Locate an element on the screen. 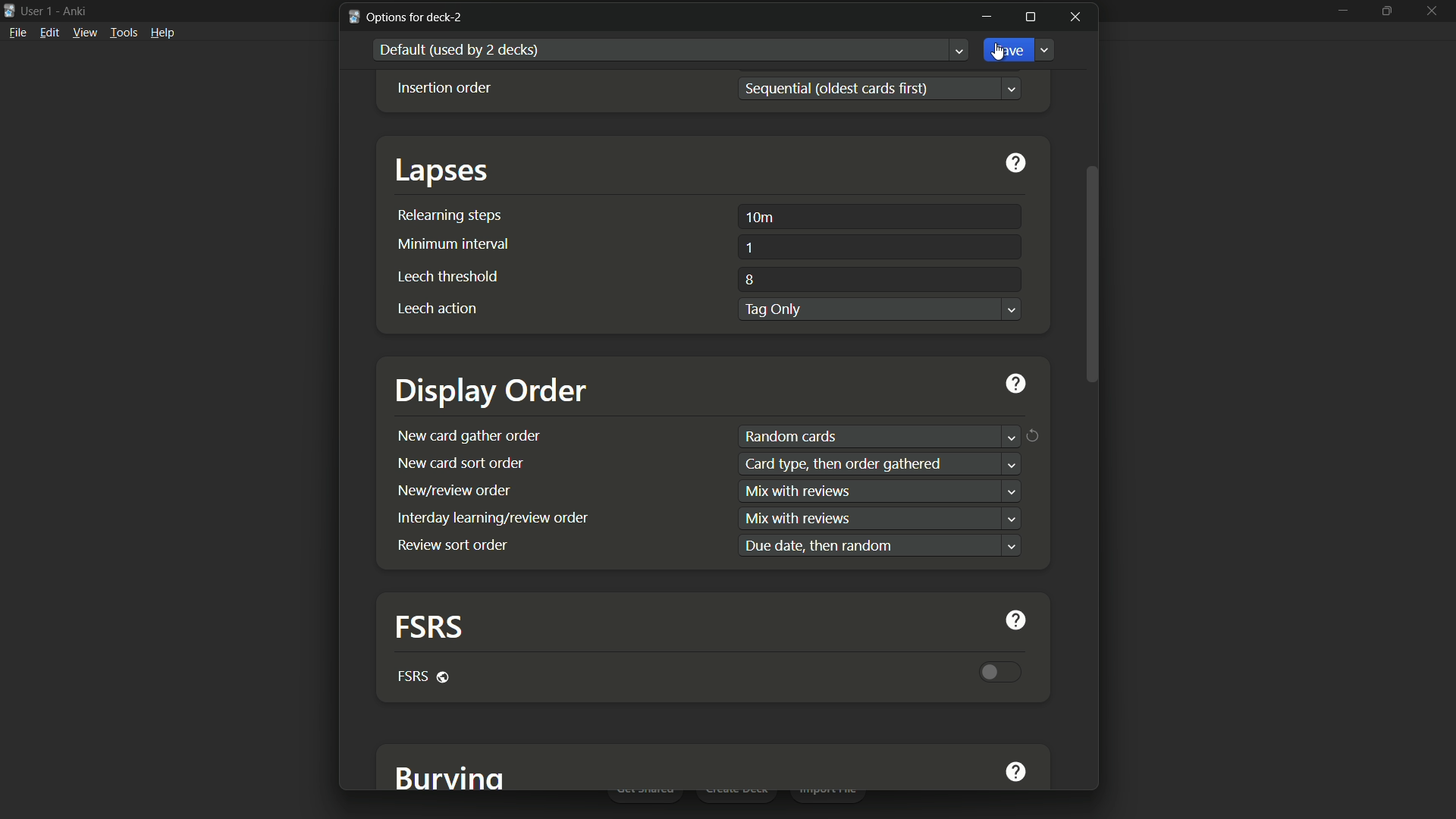 This screenshot has height=819, width=1456. edit menu is located at coordinates (49, 33).